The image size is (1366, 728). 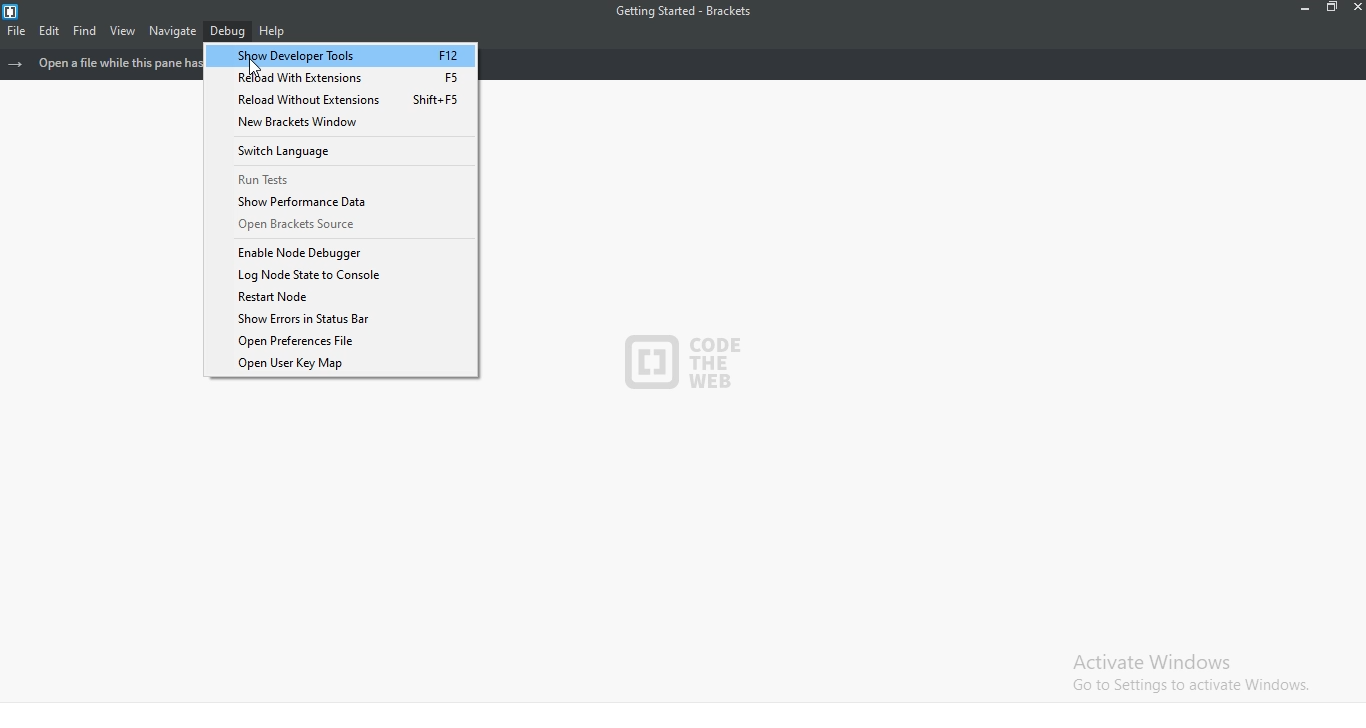 I want to click on Switch Language, so click(x=337, y=151).